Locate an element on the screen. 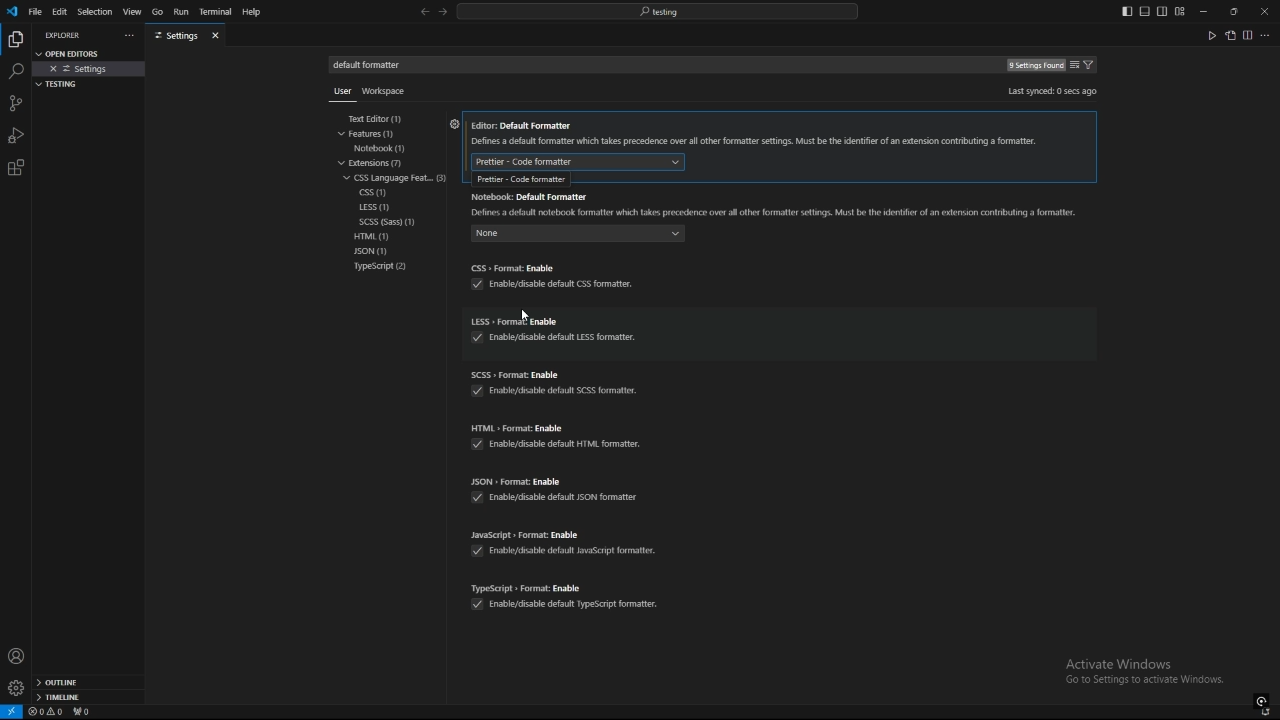 This screenshot has width=1280, height=720. extensions is located at coordinates (381, 163).